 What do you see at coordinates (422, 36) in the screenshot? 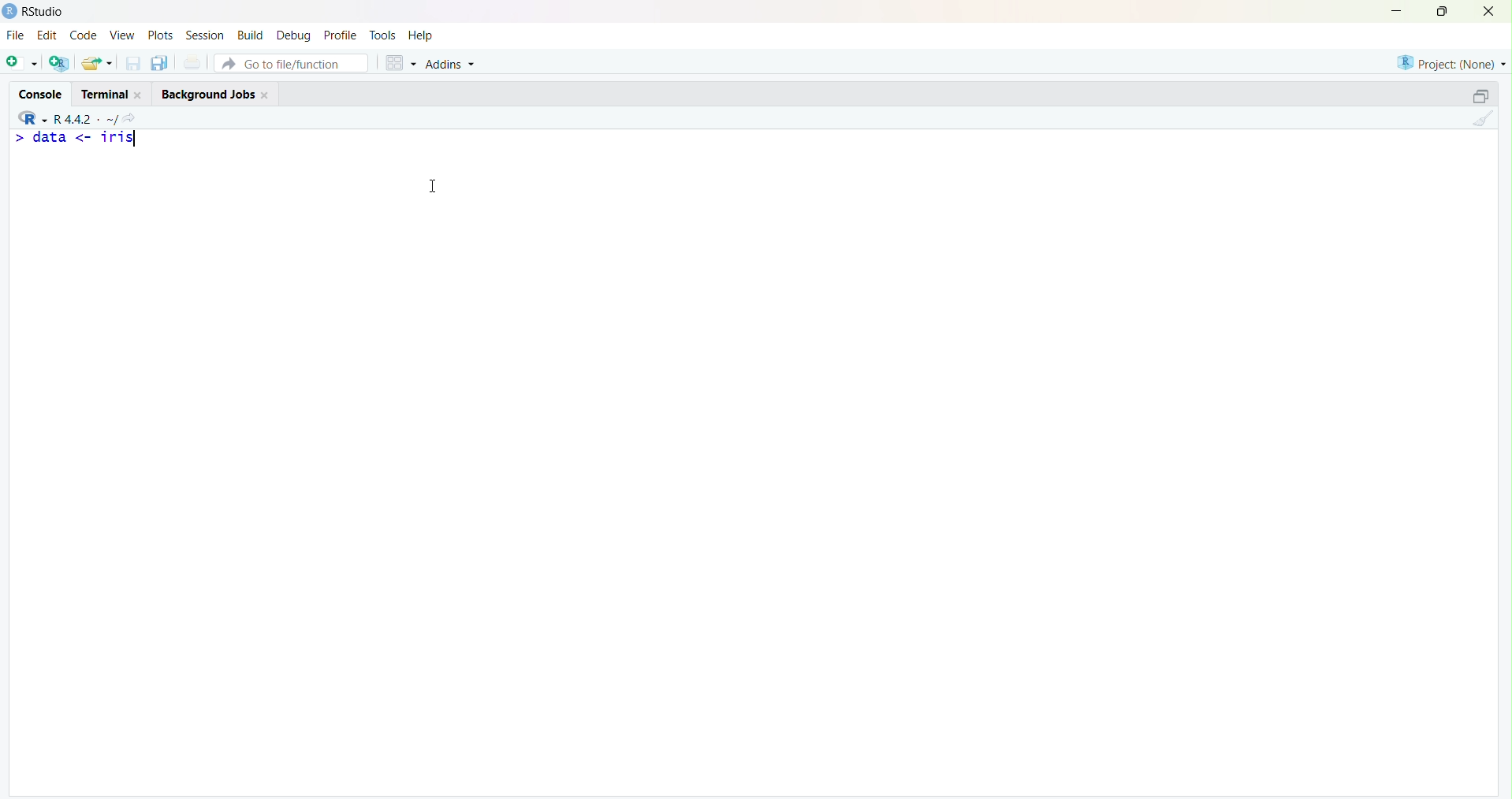
I see `Help` at bounding box center [422, 36].